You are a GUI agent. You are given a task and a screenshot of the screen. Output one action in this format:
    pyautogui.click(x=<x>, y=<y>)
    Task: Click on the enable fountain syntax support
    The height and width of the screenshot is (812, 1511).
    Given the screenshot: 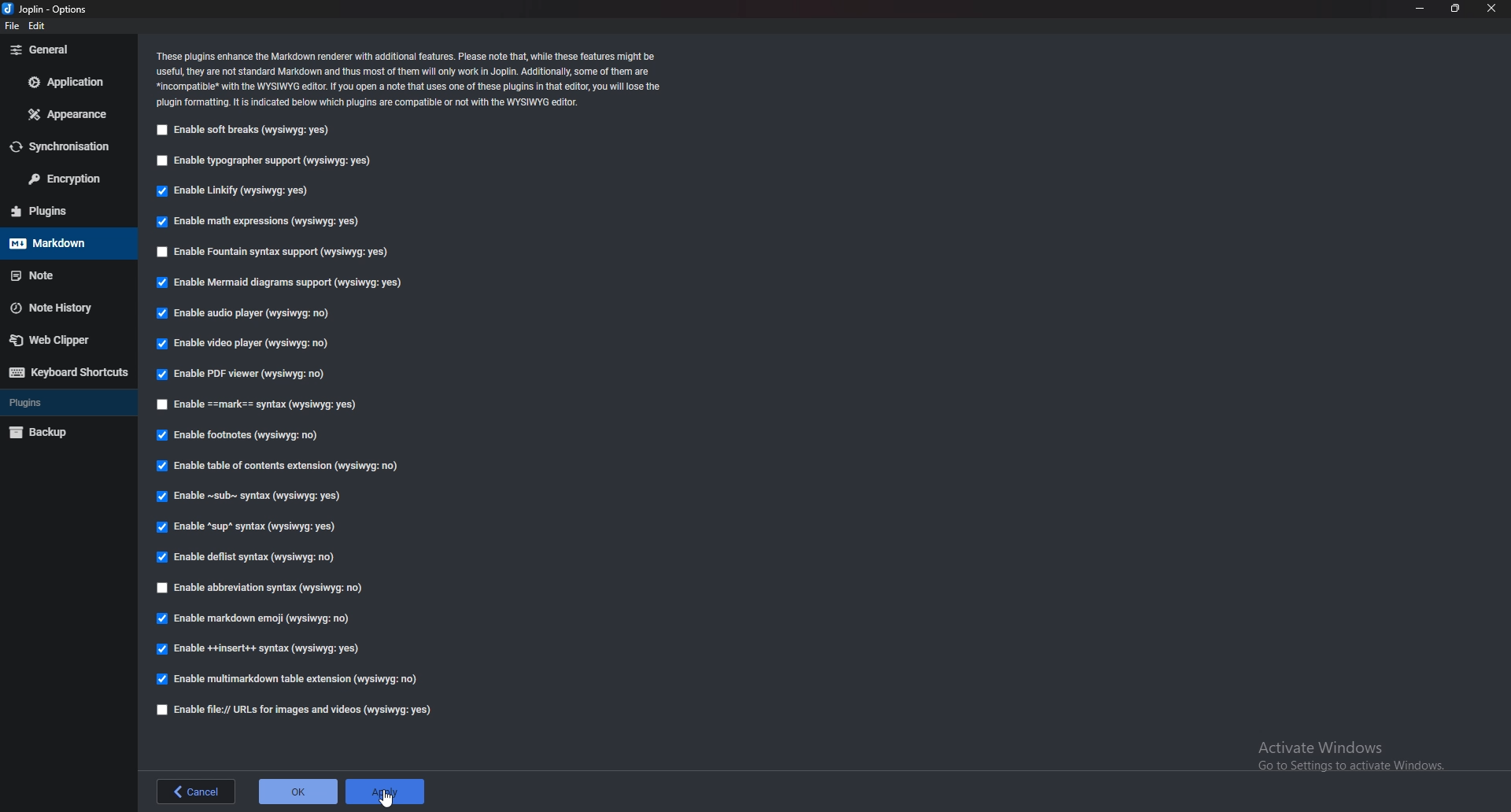 What is the action you would take?
    pyautogui.click(x=277, y=252)
    